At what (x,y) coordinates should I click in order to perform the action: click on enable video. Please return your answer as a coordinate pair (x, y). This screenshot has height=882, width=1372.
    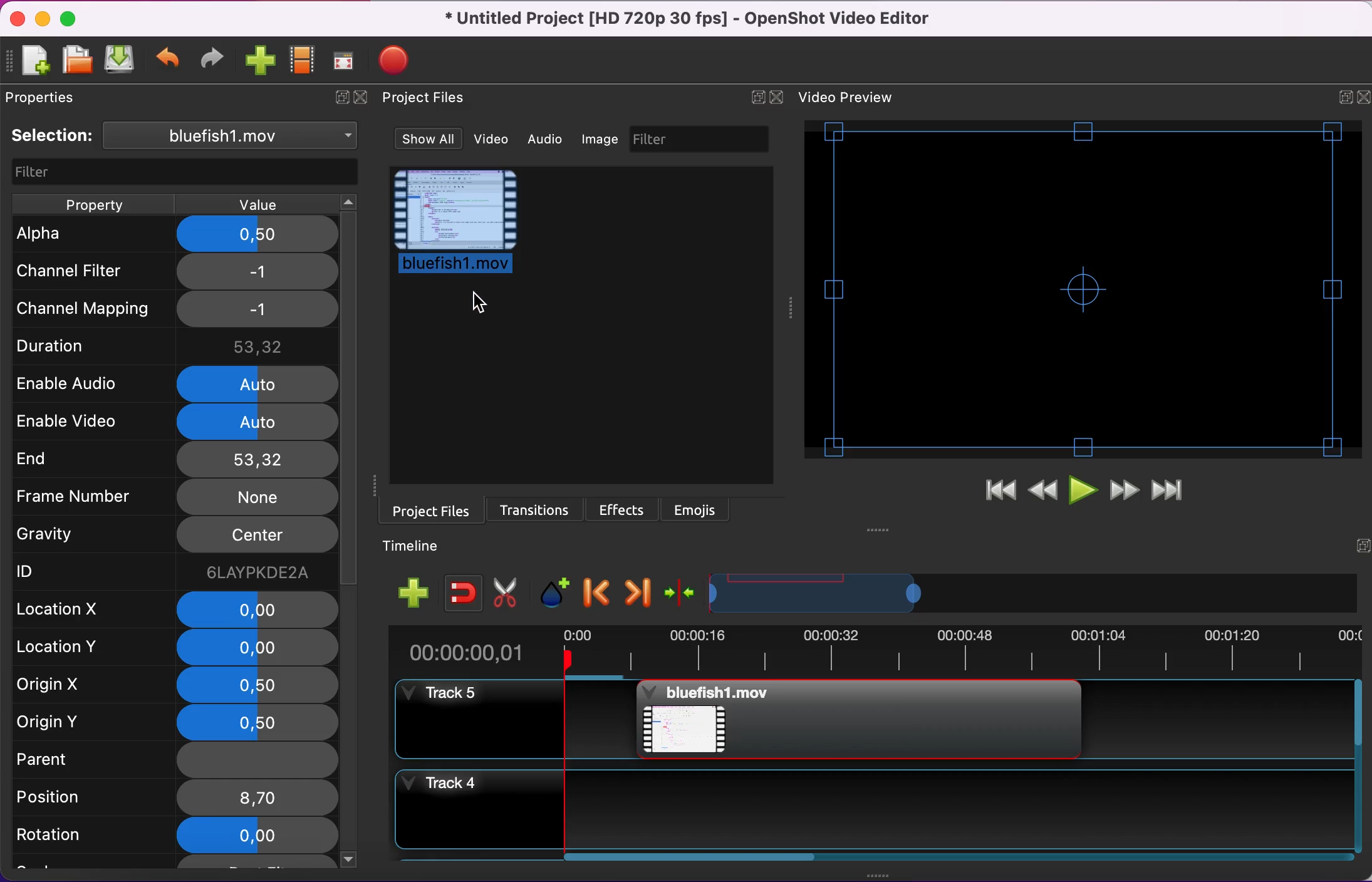
    Looking at the image, I should click on (89, 420).